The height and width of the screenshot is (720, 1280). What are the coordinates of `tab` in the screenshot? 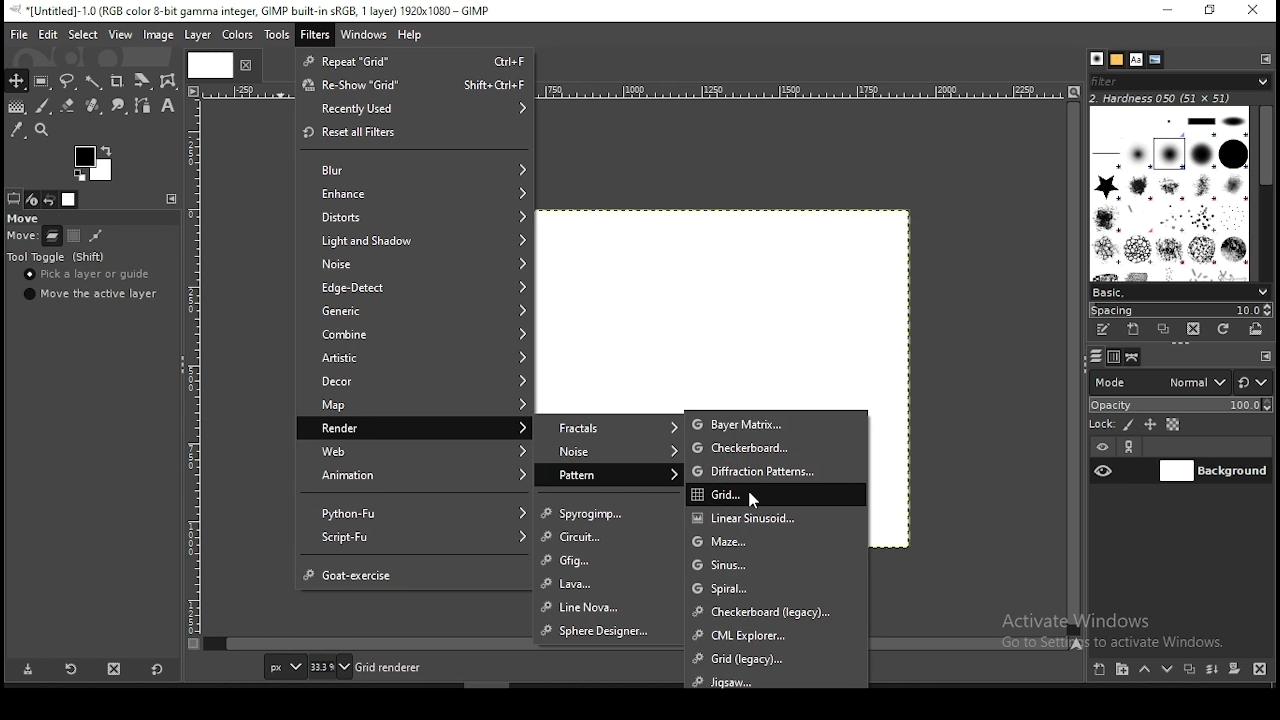 It's located at (208, 64).